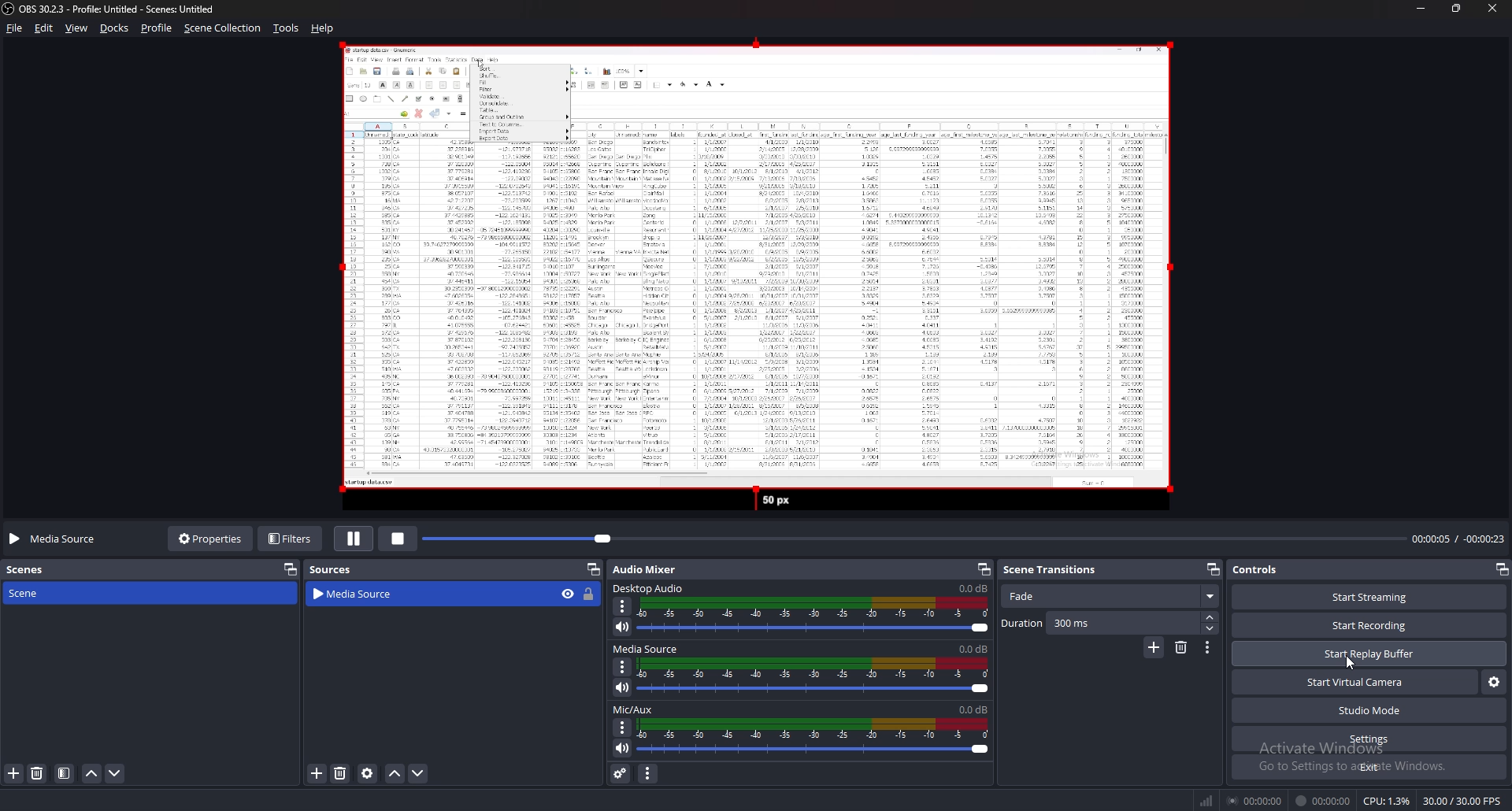 The width and height of the screenshot is (1512, 811). What do you see at coordinates (1387, 801) in the screenshot?
I see `CPU: 1.3%` at bounding box center [1387, 801].